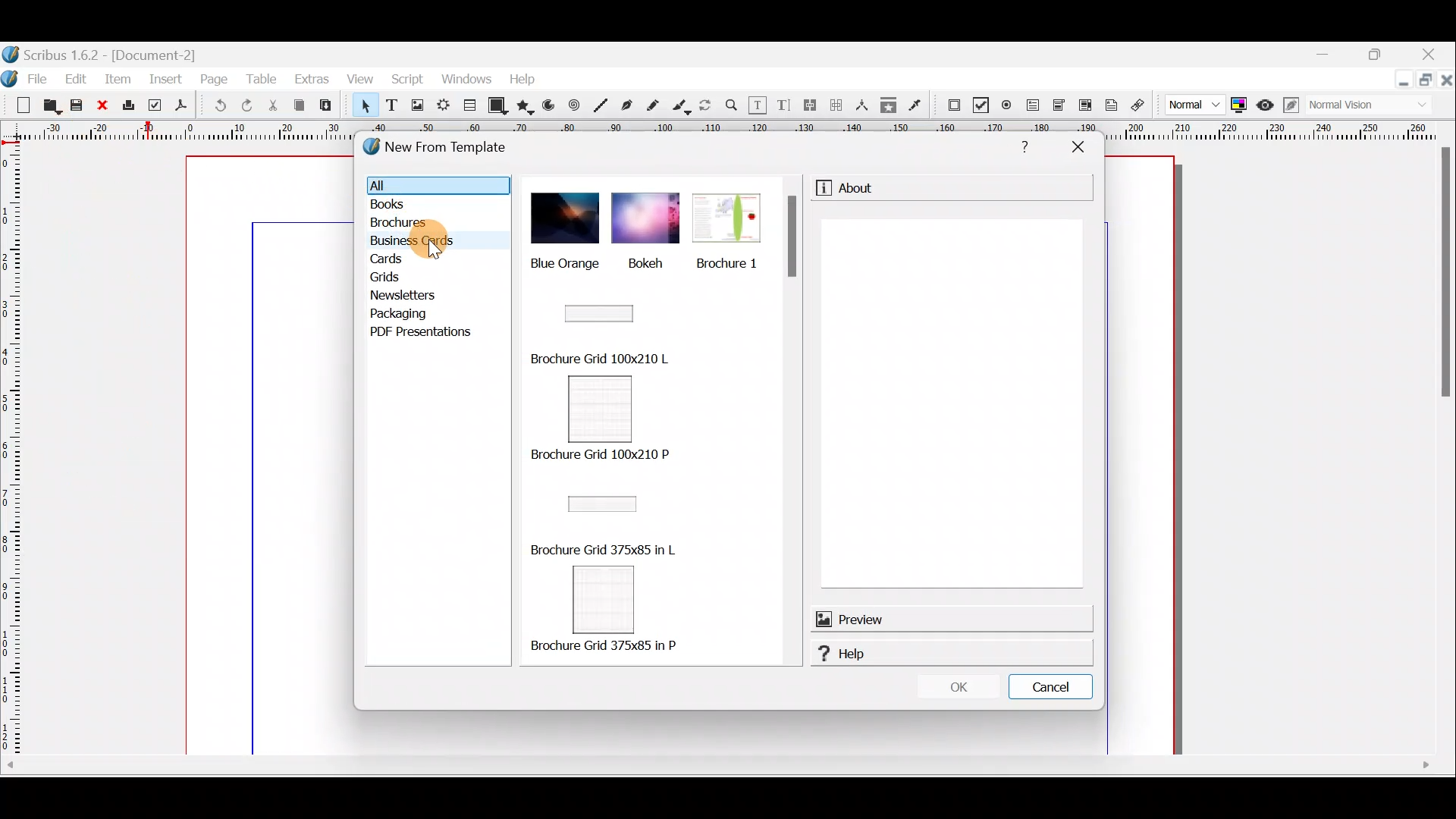 This screenshot has width=1456, height=819. What do you see at coordinates (918, 104) in the screenshot?
I see `Eye dropper` at bounding box center [918, 104].